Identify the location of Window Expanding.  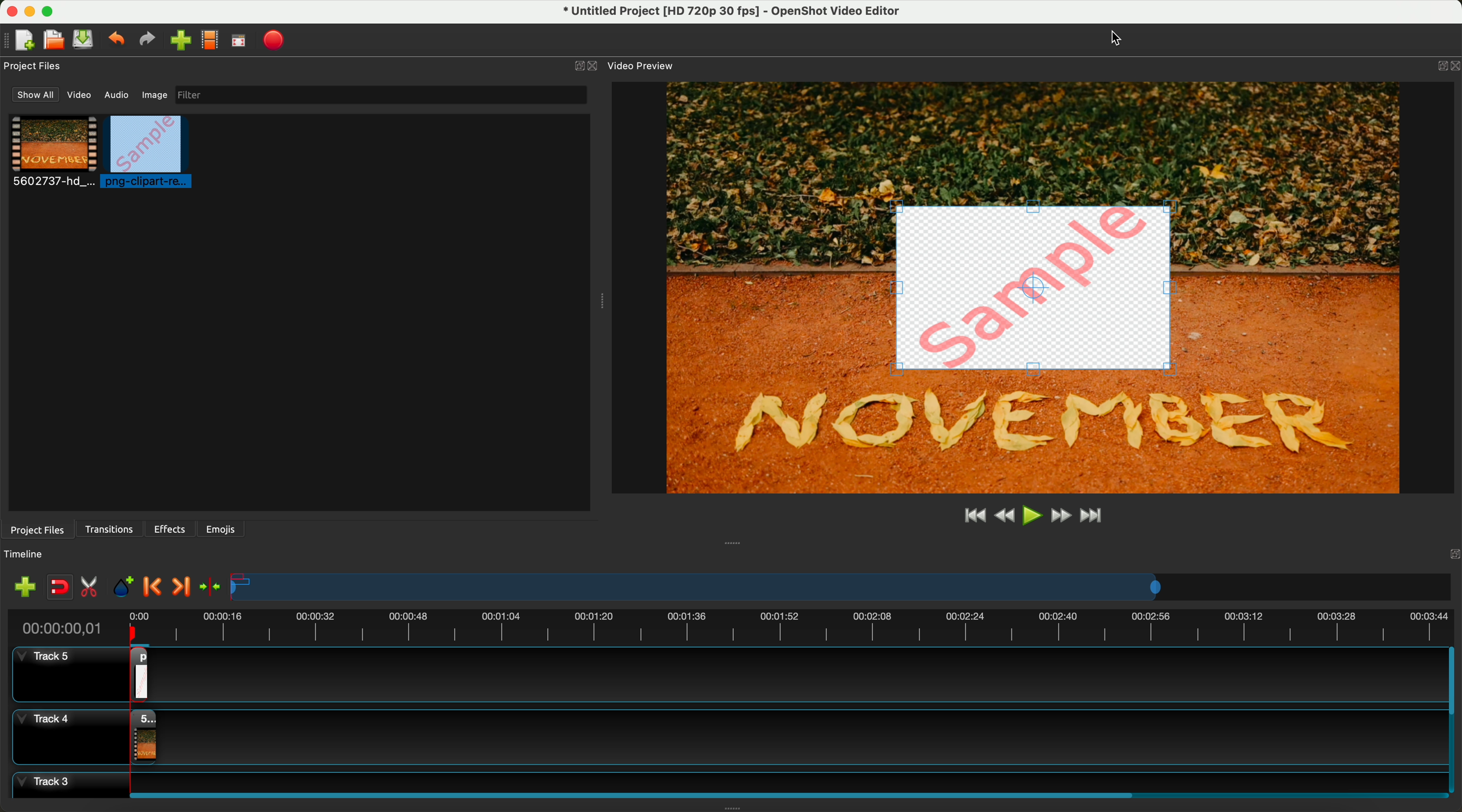
(599, 302).